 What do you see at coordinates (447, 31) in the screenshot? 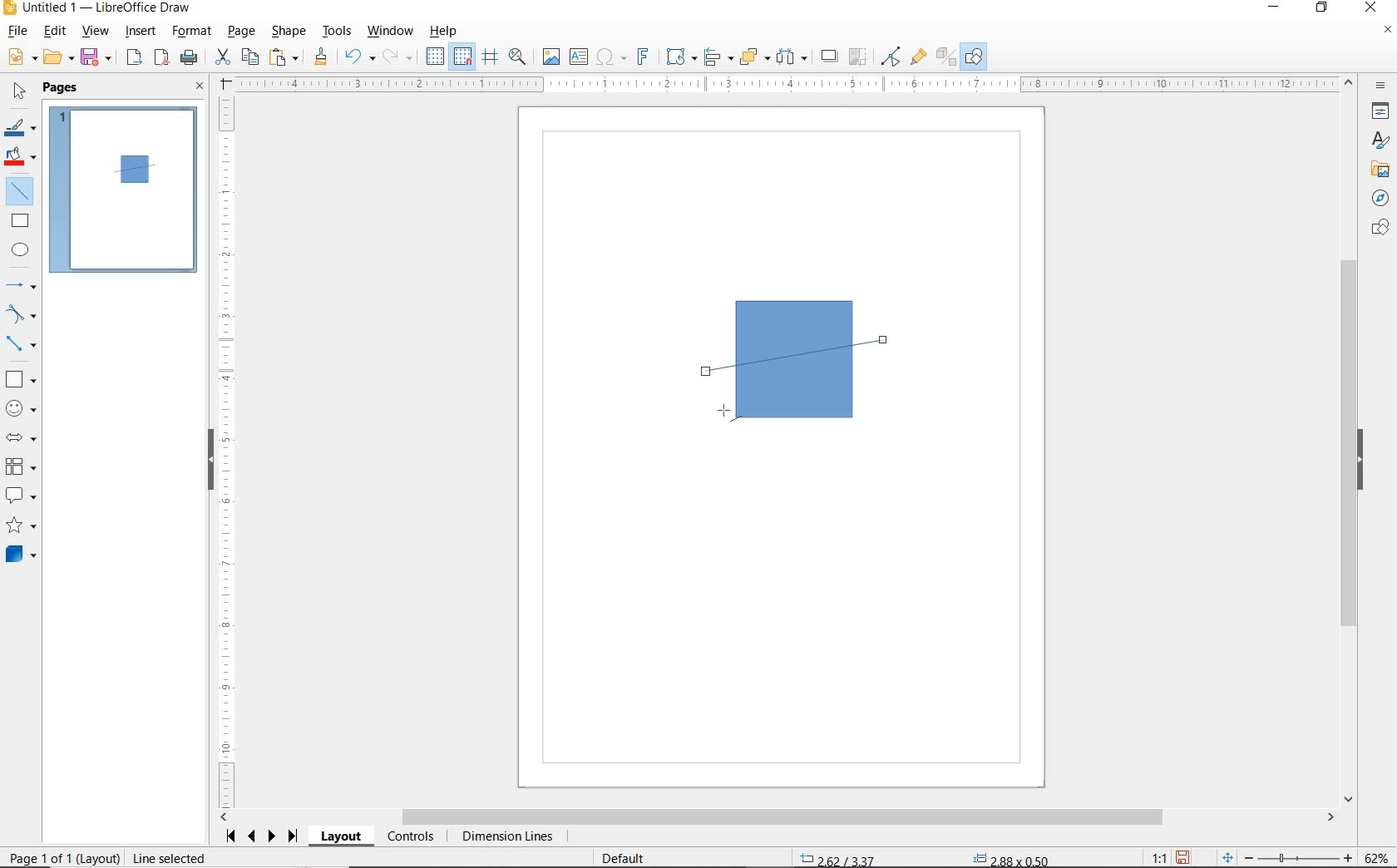
I see `HELP` at bounding box center [447, 31].